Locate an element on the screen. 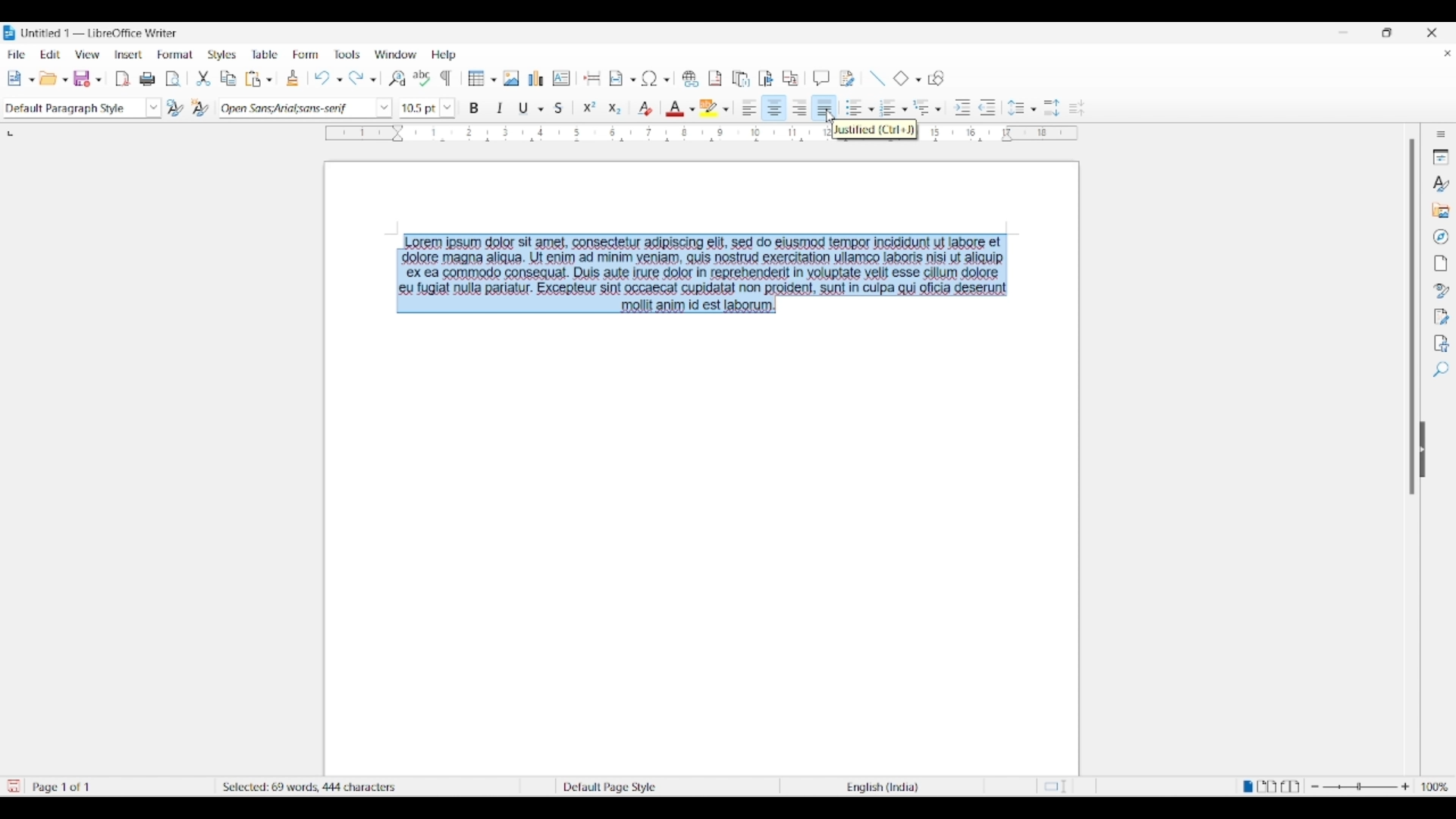 The height and width of the screenshot is (819, 1456). Show track changes functions is located at coordinates (848, 79).